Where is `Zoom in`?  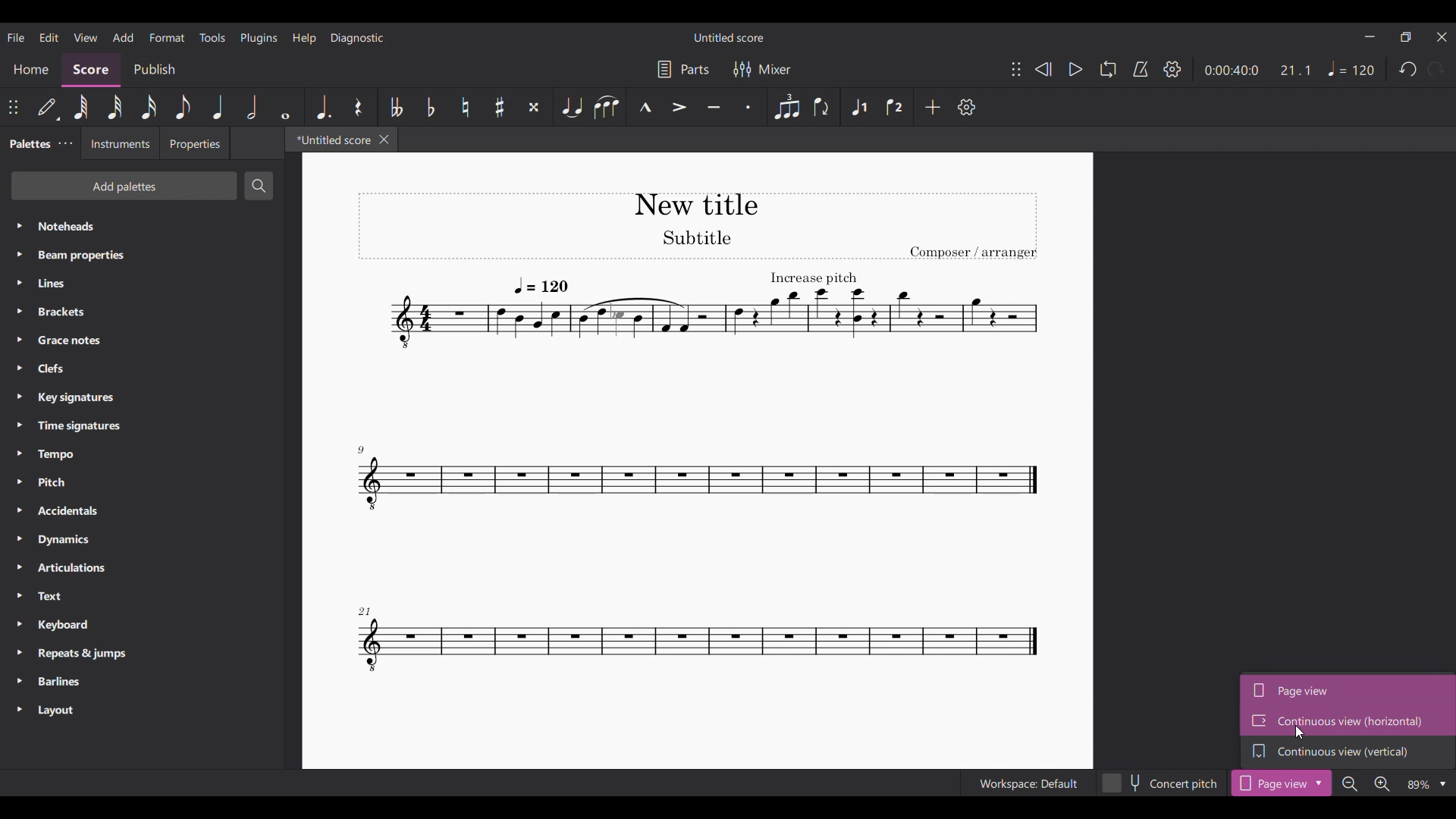 Zoom in is located at coordinates (1382, 784).